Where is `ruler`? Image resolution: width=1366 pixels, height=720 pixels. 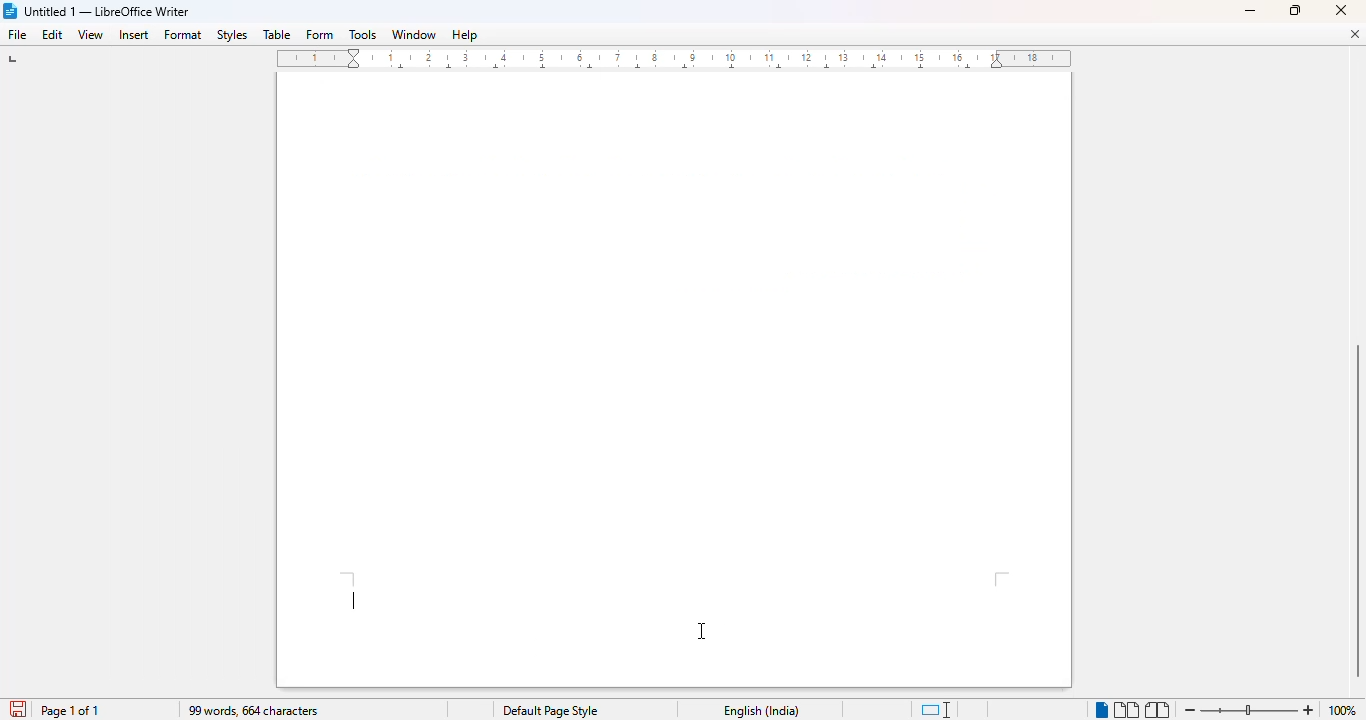
ruler is located at coordinates (677, 60).